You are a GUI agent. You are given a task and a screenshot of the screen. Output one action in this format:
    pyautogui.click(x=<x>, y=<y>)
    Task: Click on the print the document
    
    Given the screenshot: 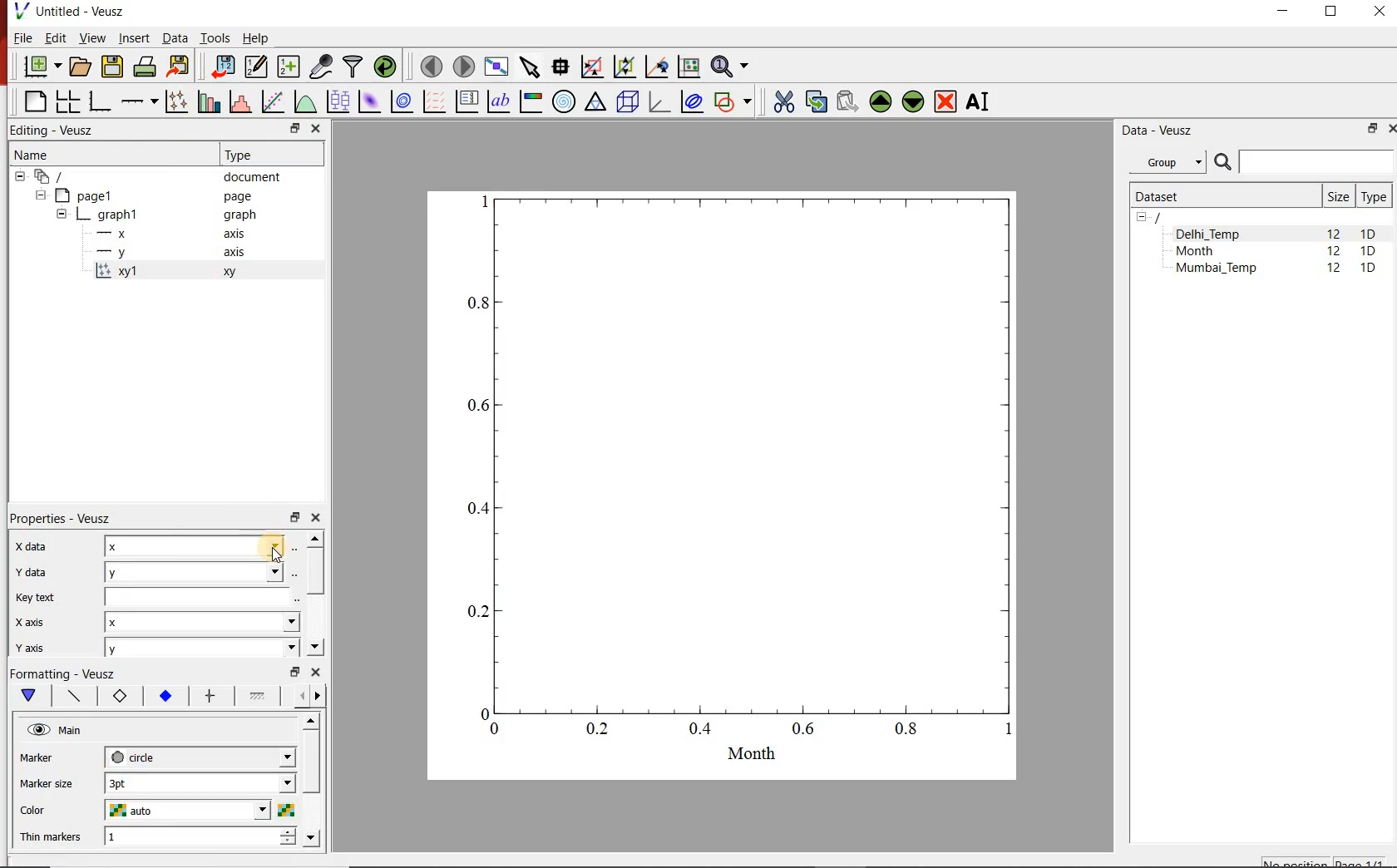 What is the action you would take?
    pyautogui.click(x=145, y=67)
    